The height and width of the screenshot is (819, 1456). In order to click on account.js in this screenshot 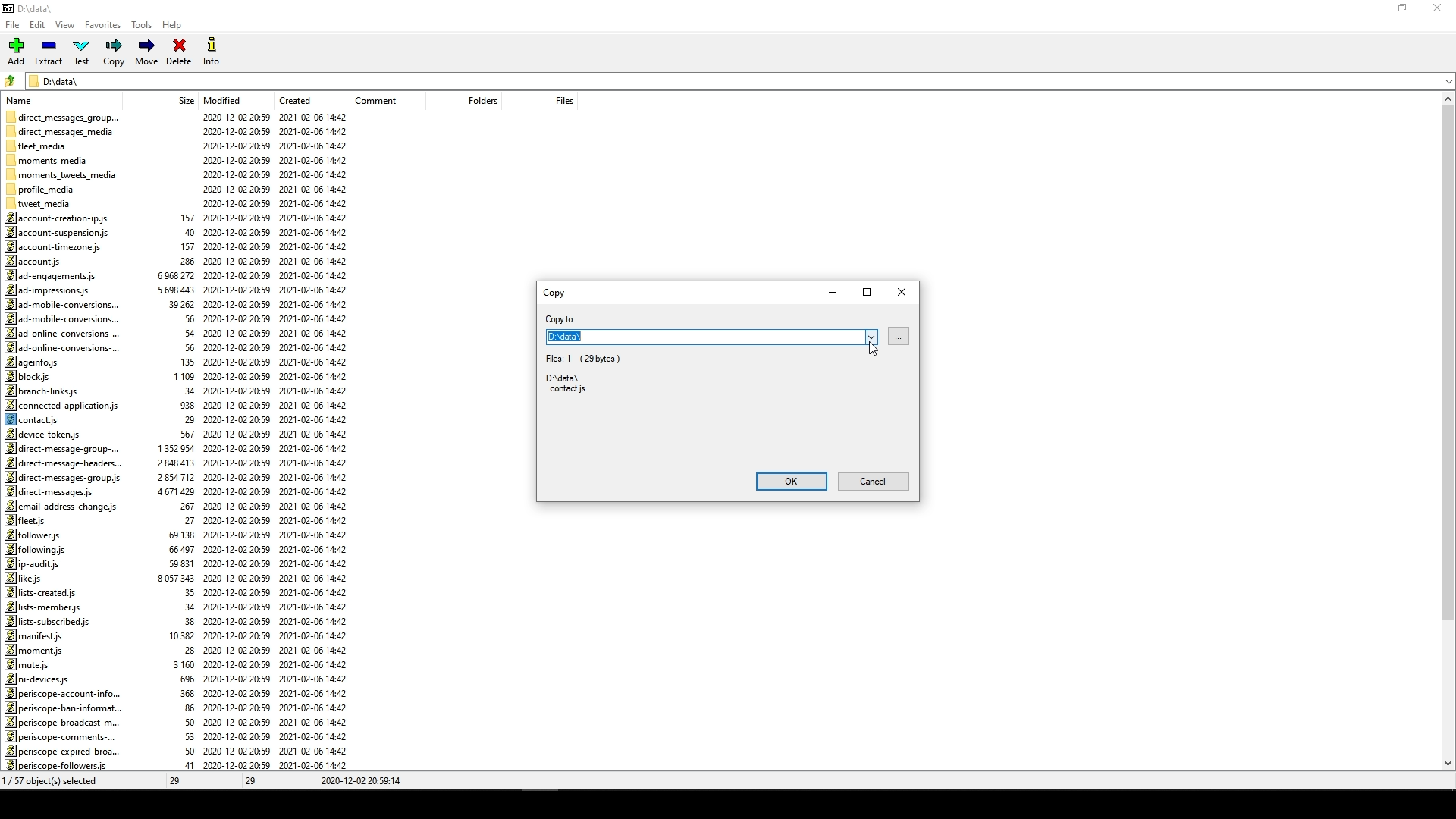, I will do `click(38, 260)`.